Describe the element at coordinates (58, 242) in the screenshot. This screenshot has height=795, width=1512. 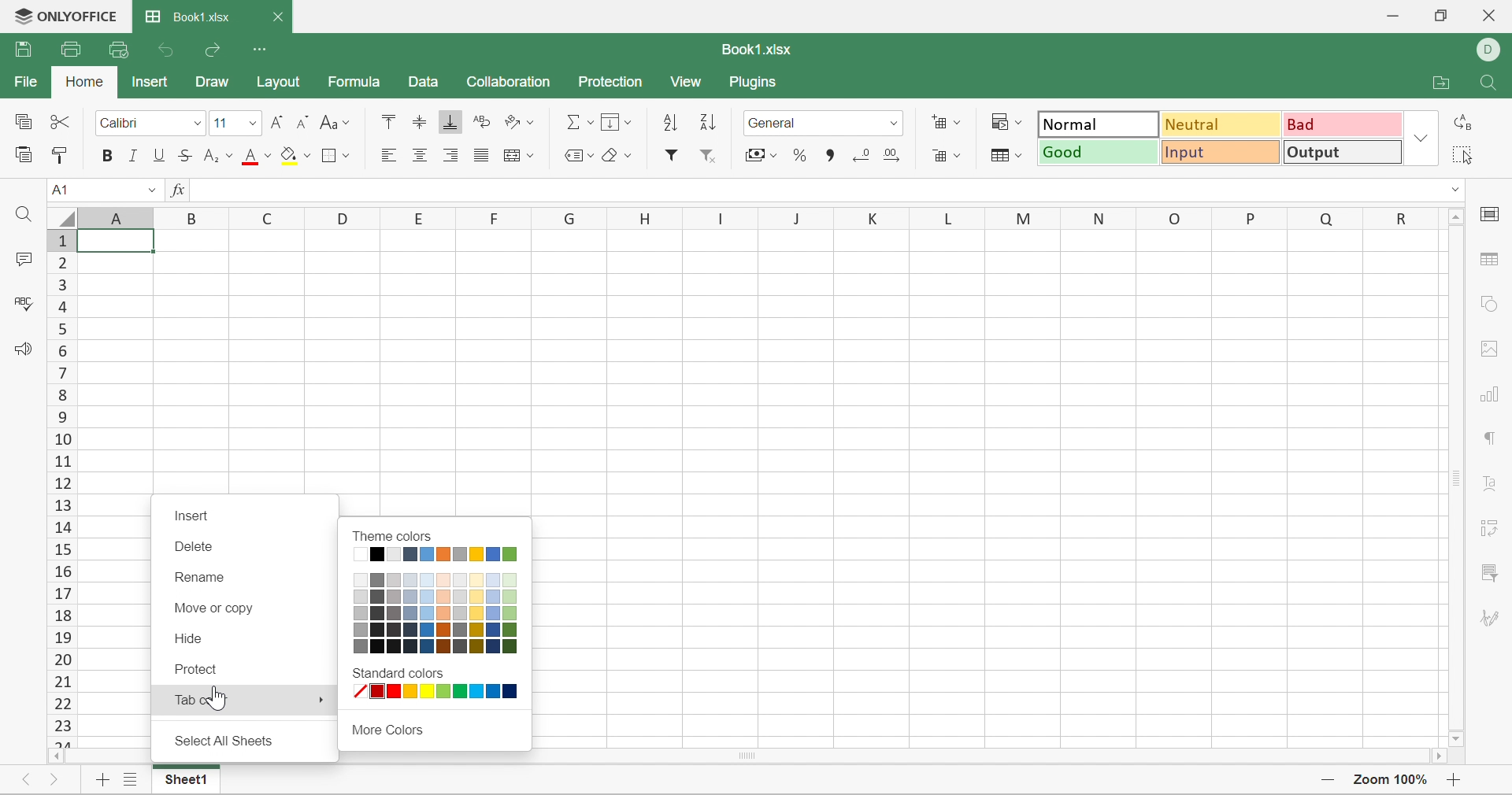
I see `1` at that location.